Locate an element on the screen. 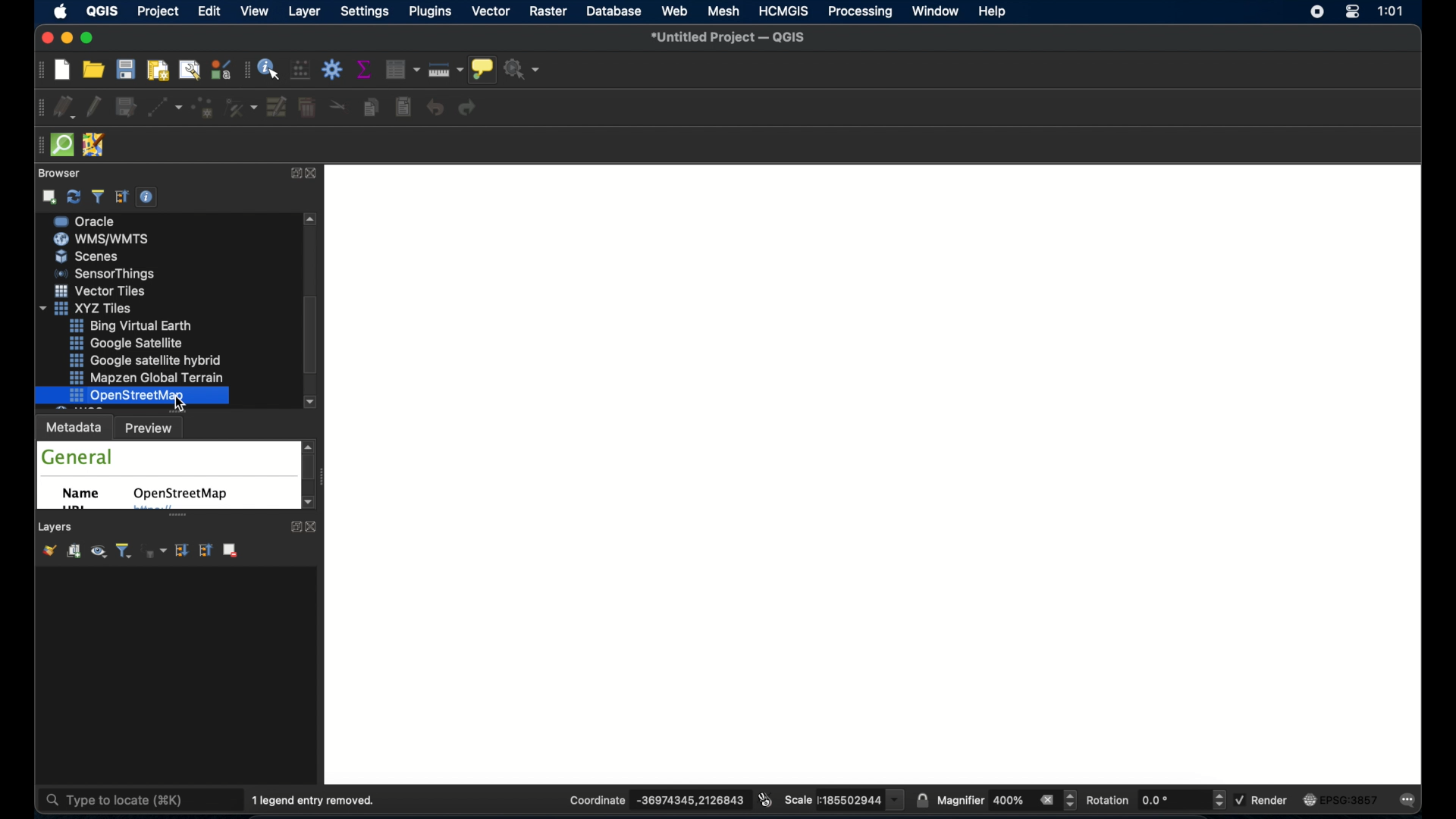 The height and width of the screenshot is (819, 1456). web is located at coordinates (674, 12).